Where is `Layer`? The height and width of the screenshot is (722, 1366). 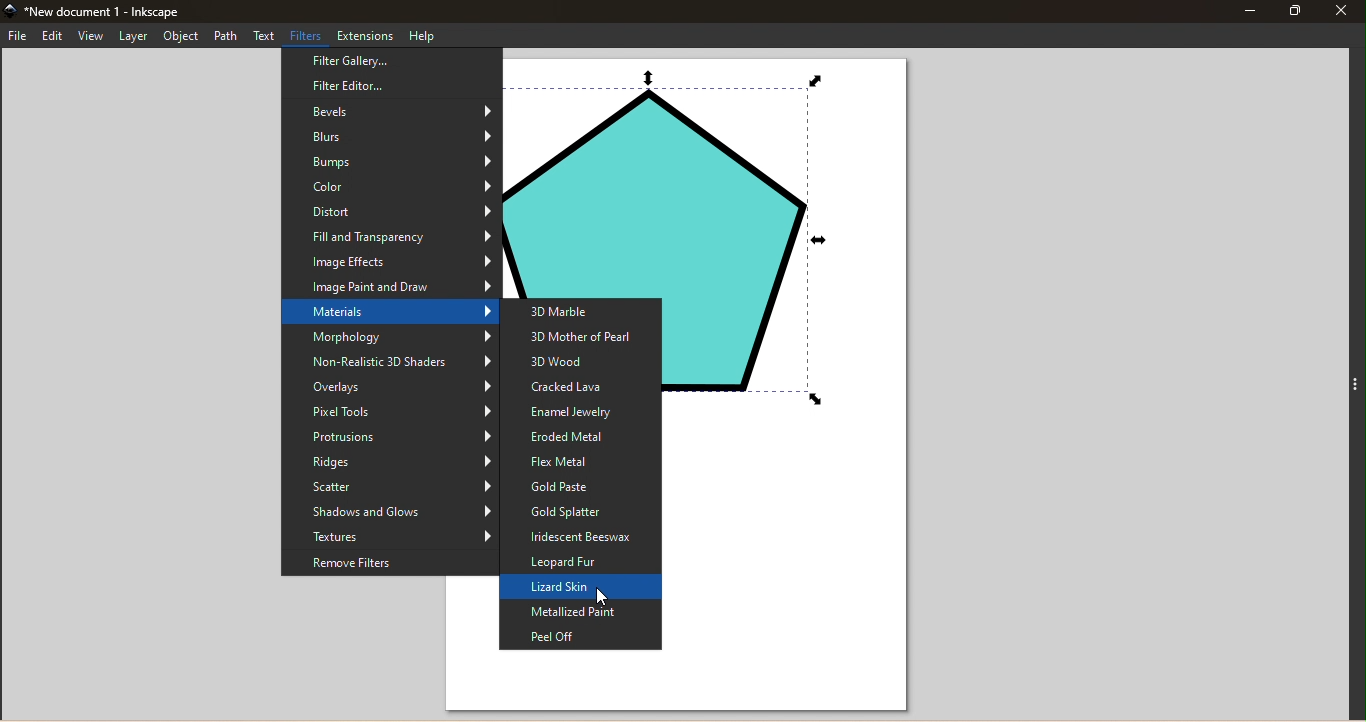
Layer is located at coordinates (133, 36).